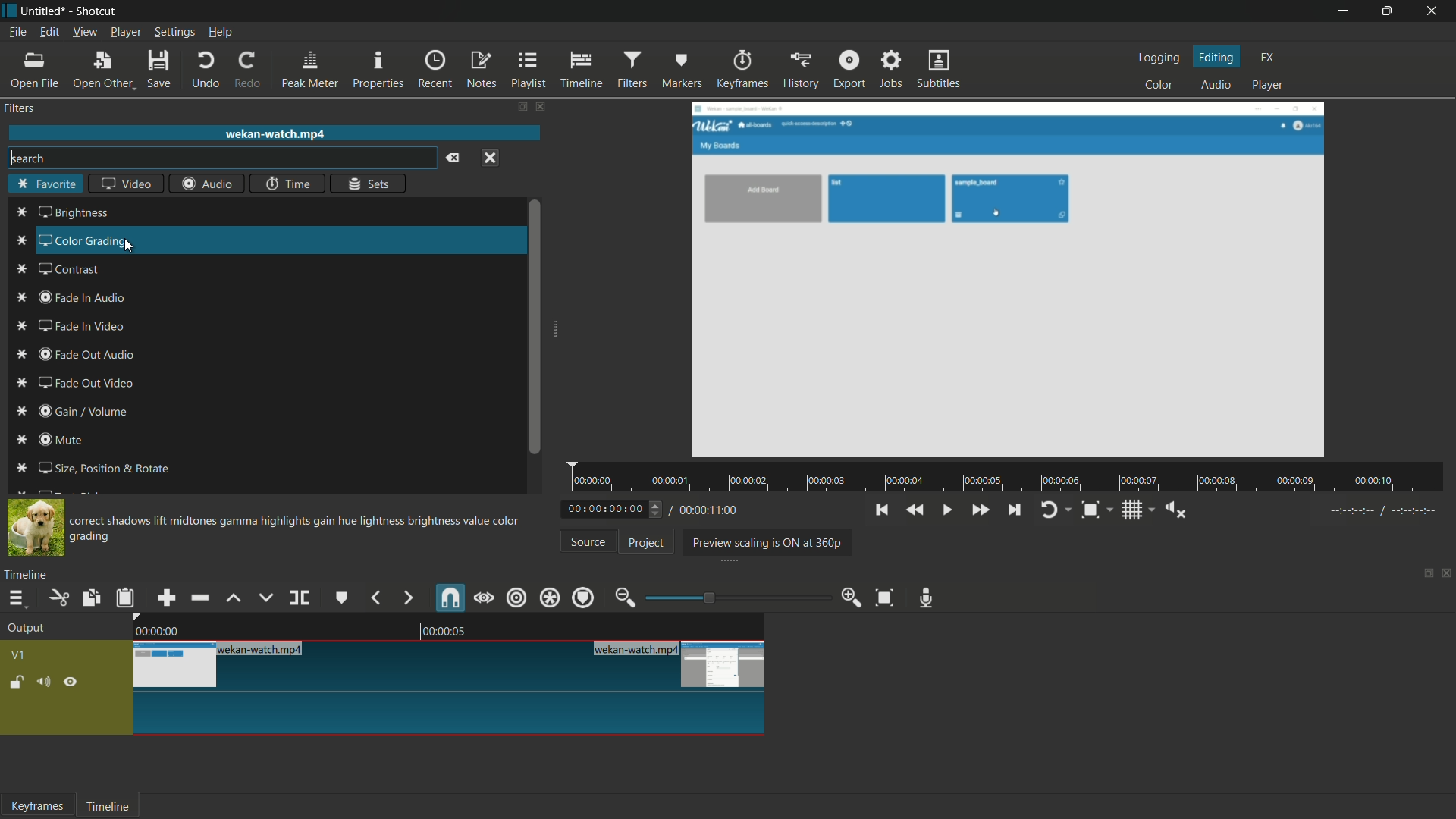 The height and width of the screenshot is (819, 1456). What do you see at coordinates (61, 598) in the screenshot?
I see `cut` at bounding box center [61, 598].